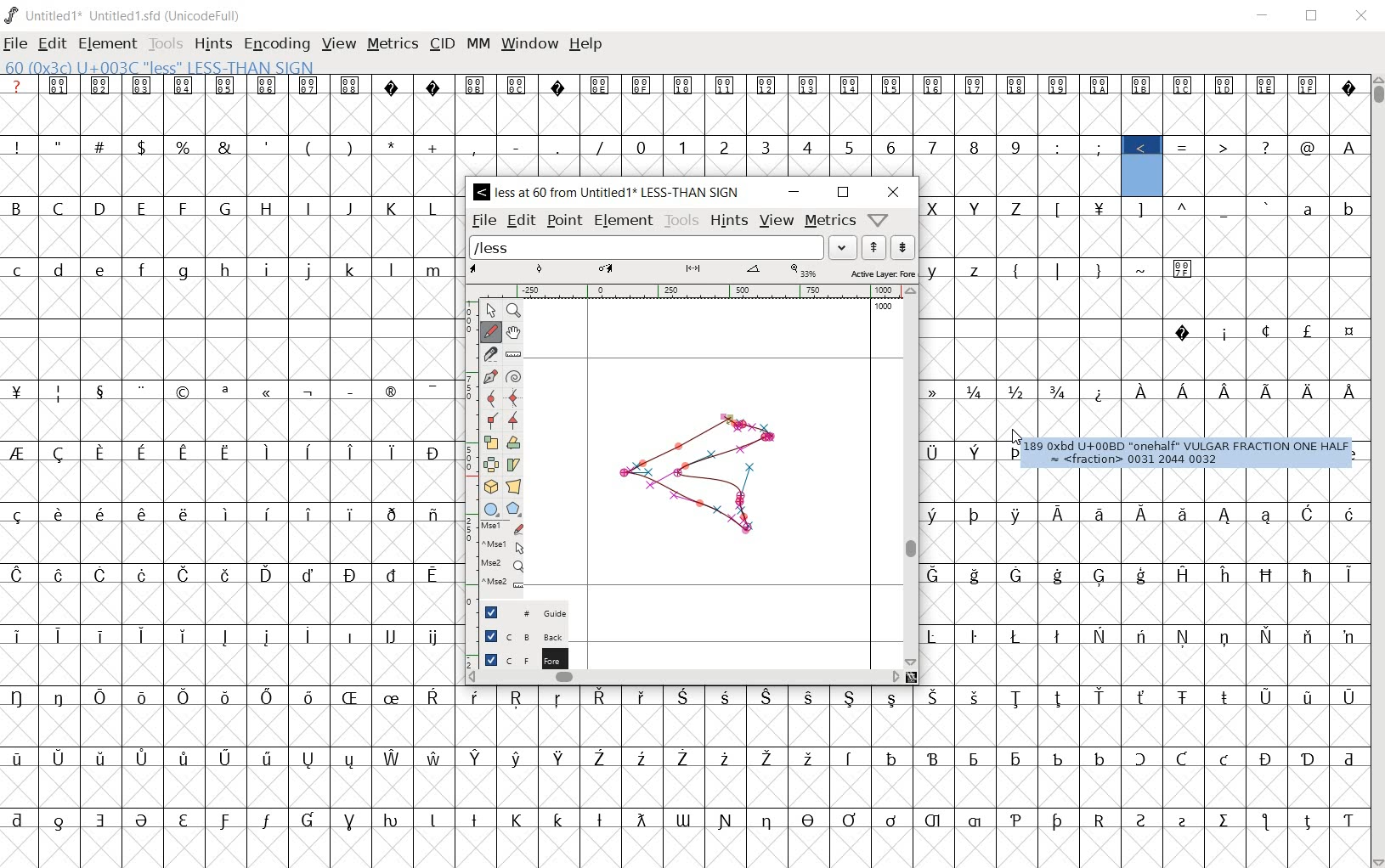  Describe the element at coordinates (980, 206) in the screenshot. I see `capital letters X Y Y` at that location.